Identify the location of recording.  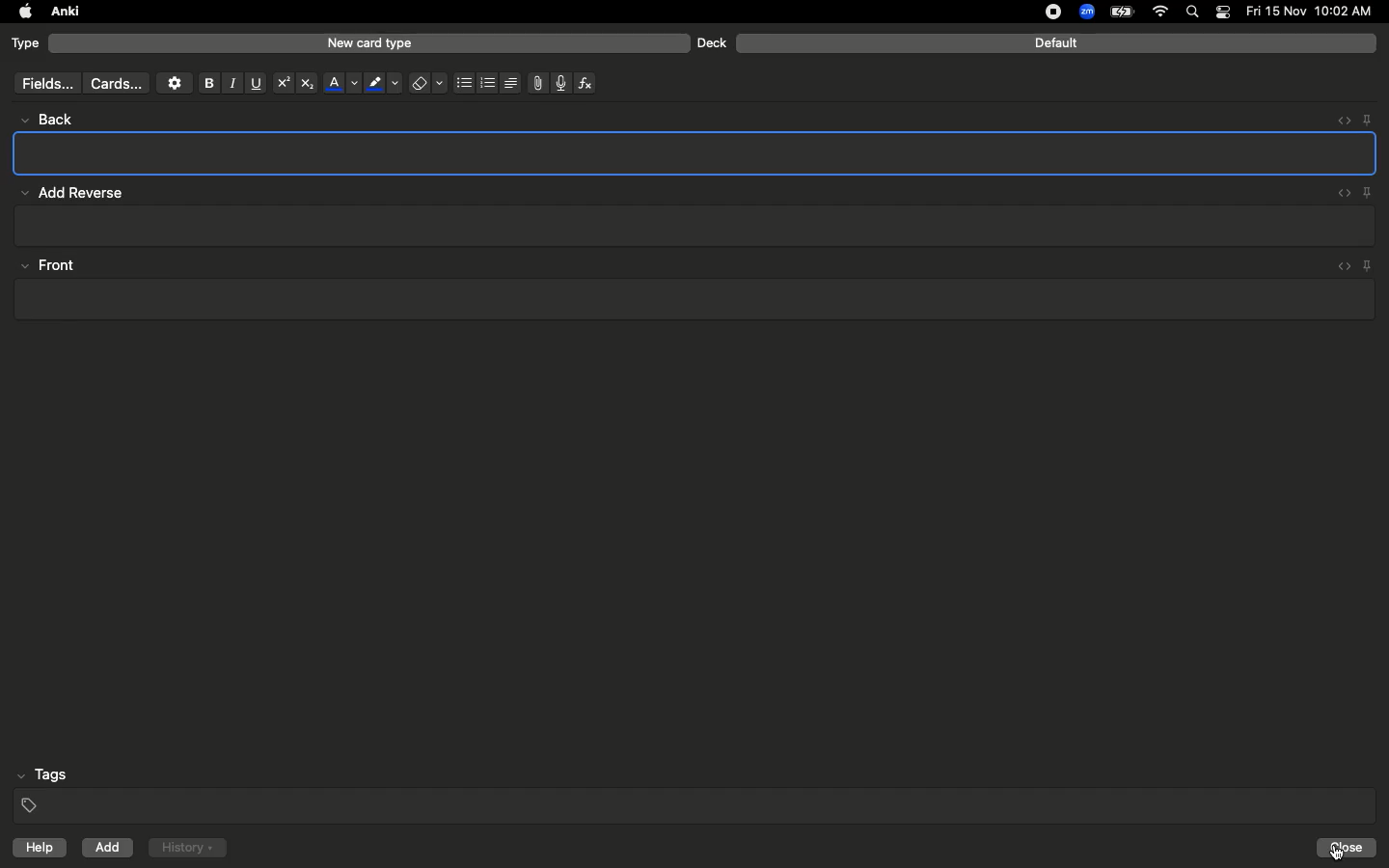
(1042, 12).